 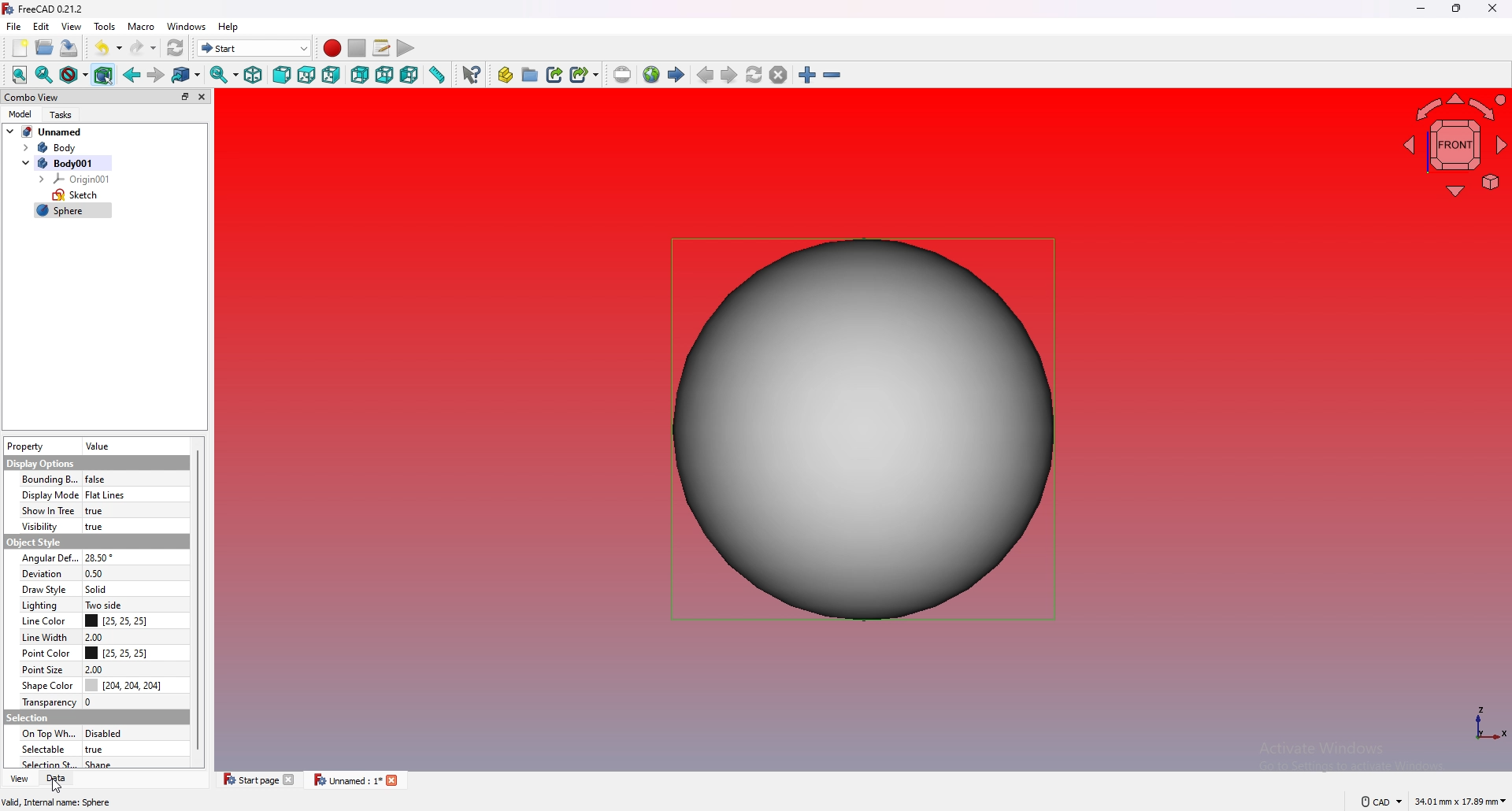 What do you see at coordinates (410, 75) in the screenshot?
I see `left` at bounding box center [410, 75].